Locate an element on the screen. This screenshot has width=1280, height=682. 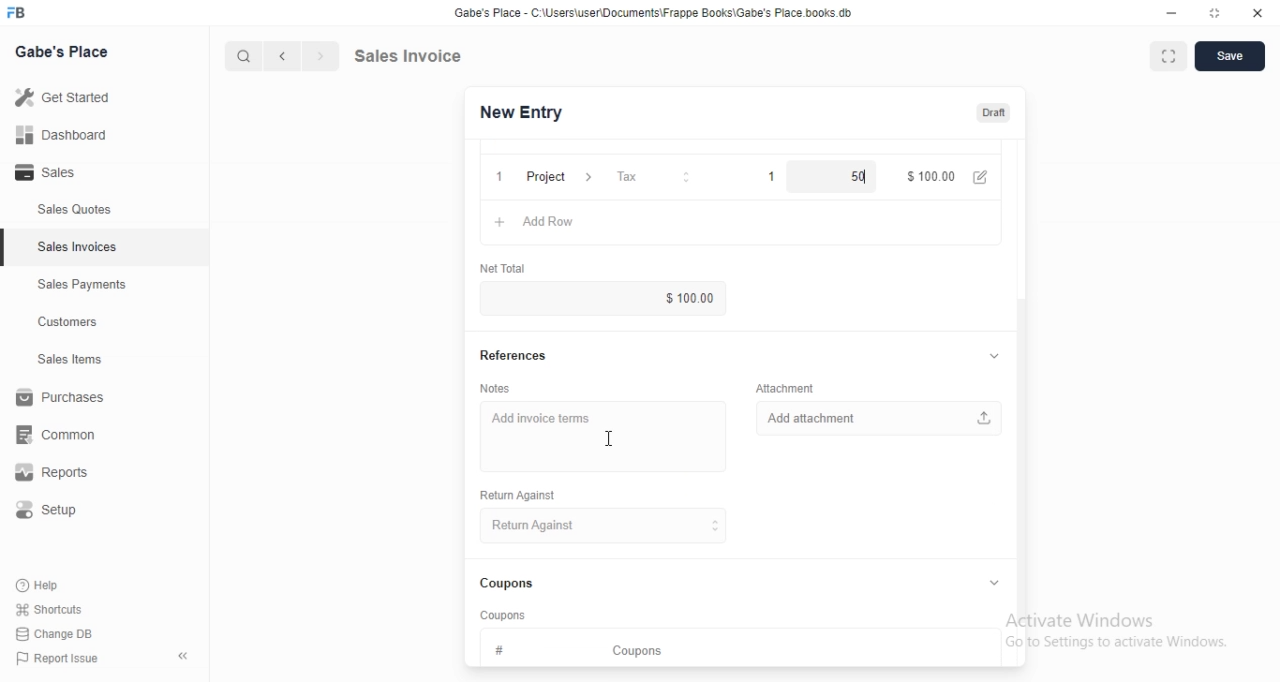
maximize is located at coordinates (1216, 15).